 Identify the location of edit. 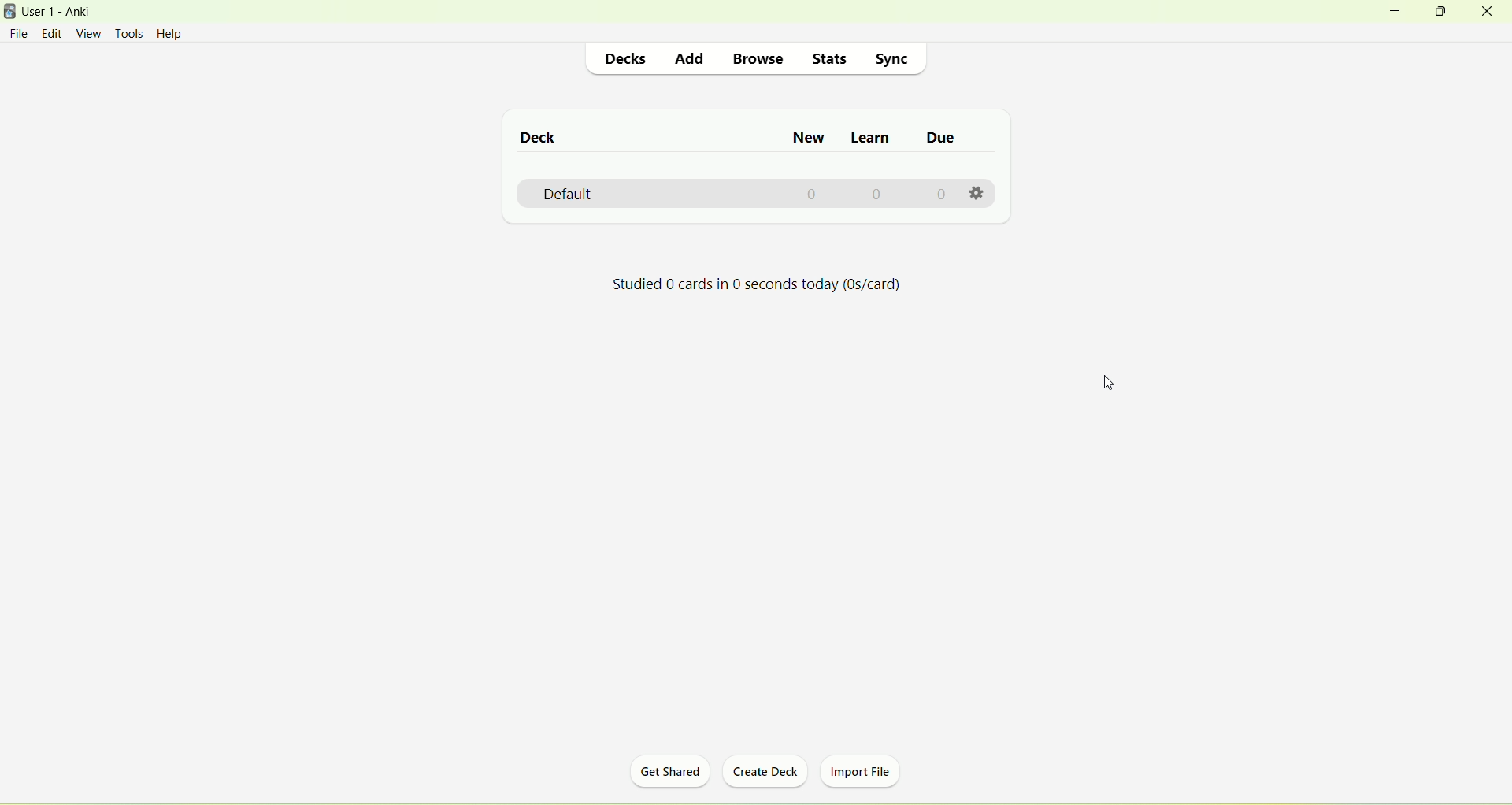
(50, 34).